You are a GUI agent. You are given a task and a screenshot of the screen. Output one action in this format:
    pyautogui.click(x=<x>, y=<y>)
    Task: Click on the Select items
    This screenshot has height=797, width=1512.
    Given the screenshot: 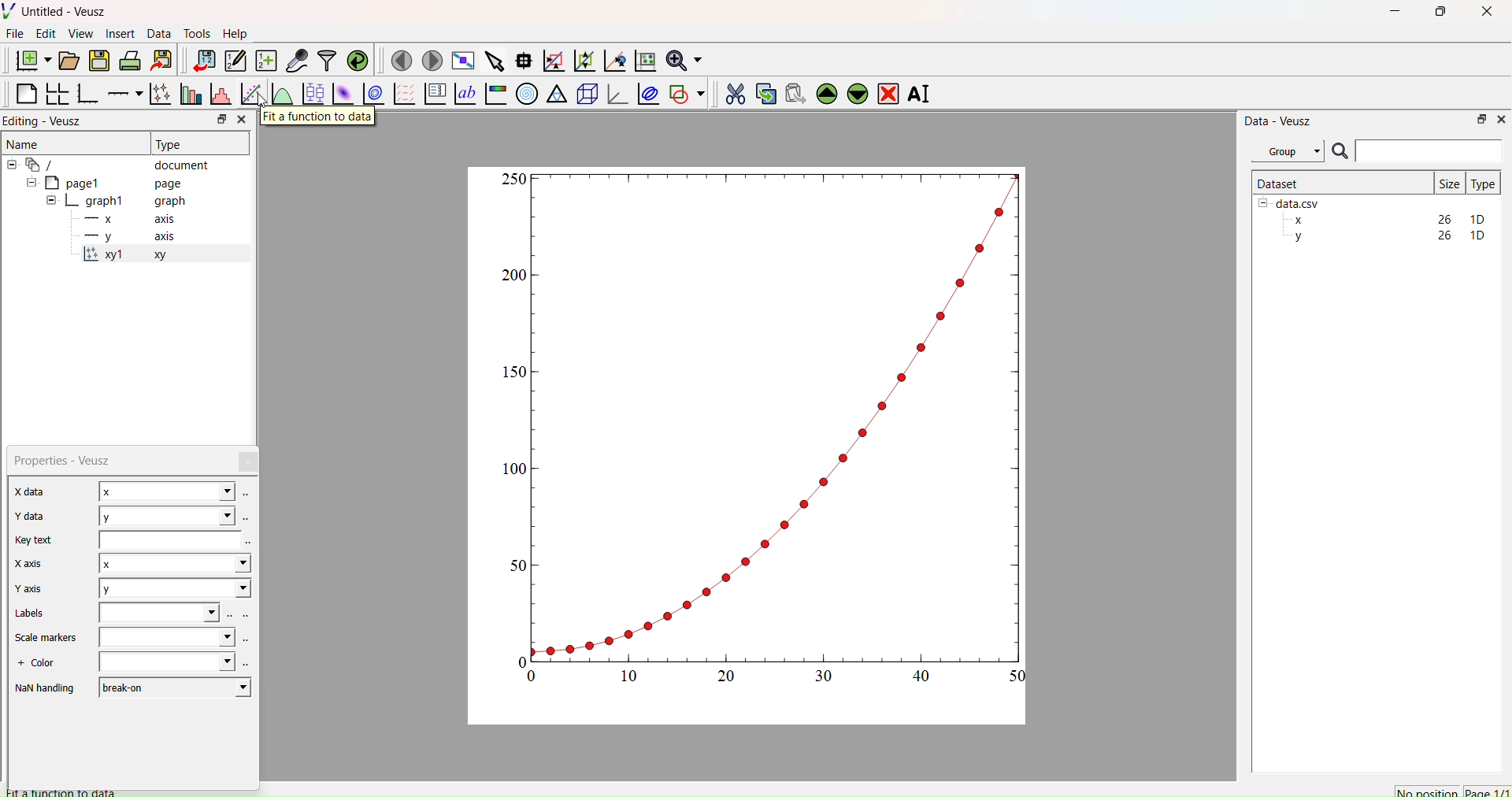 What is the action you would take?
    pyautogui.click(x=493, y=61)
    